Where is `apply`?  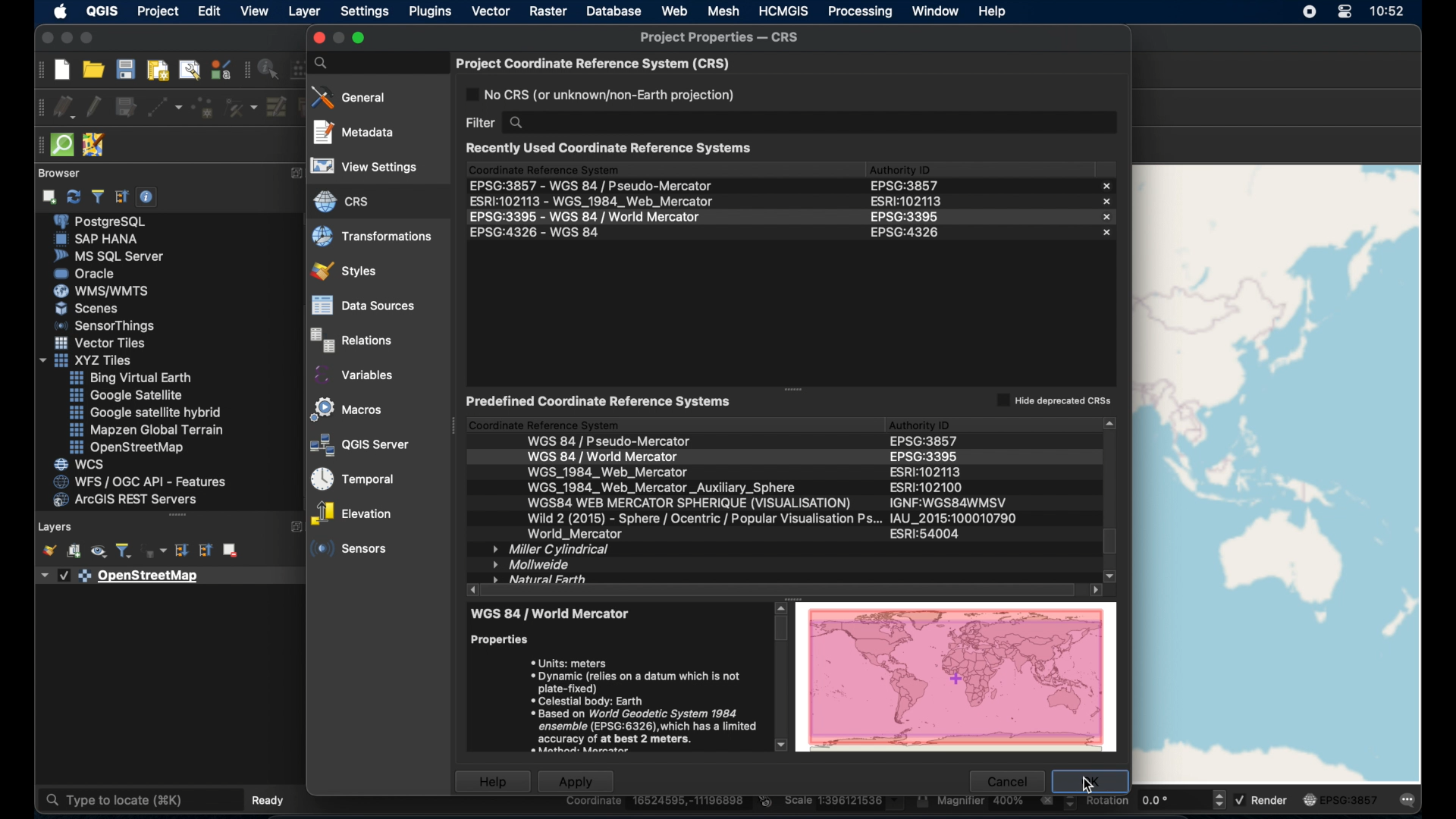
apply is located at coordinates (579, 782).